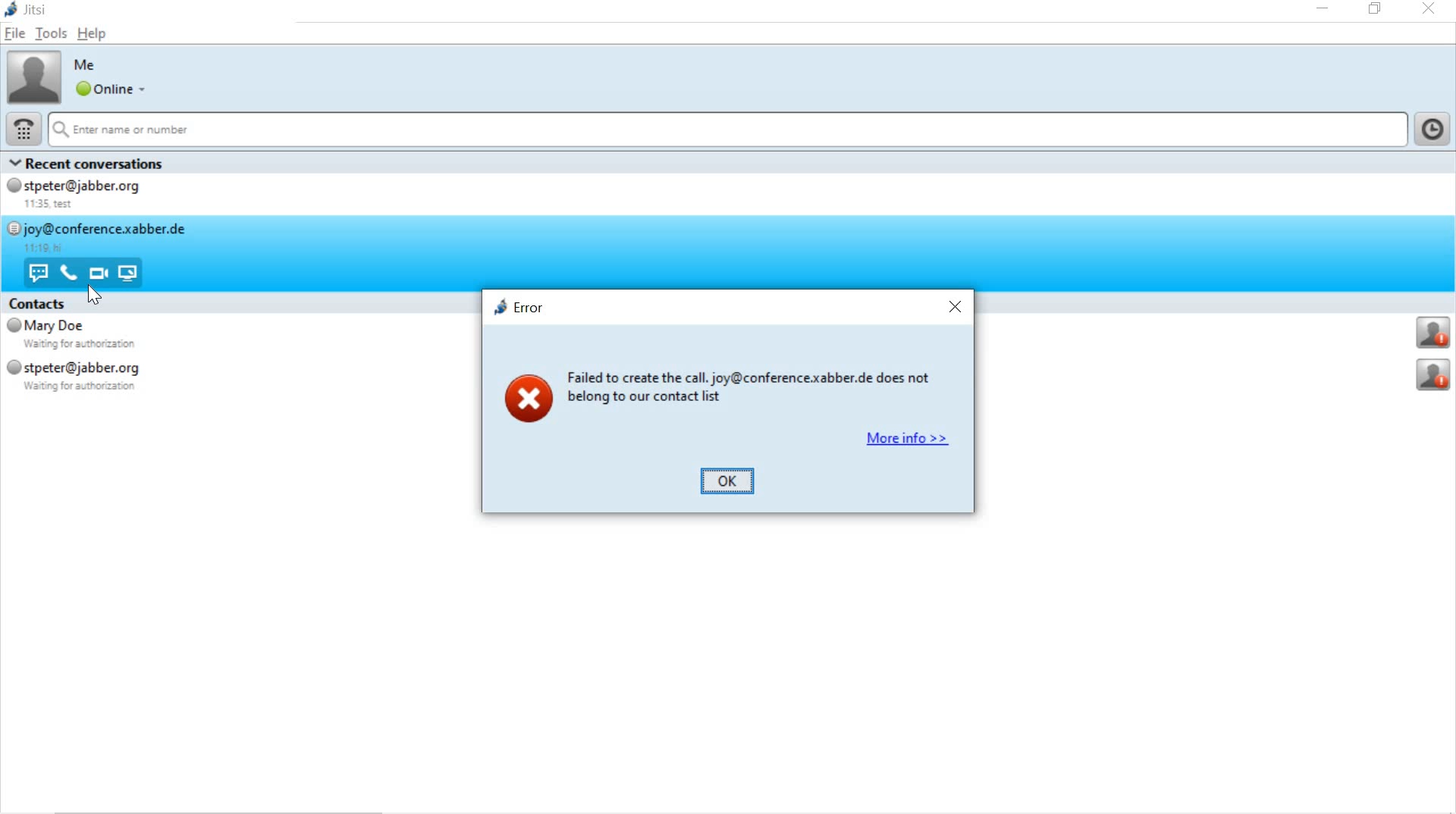 Image resolution: width=1456 pixels, height=814 pixels. I want to click on share desktop, so click(133, 273).